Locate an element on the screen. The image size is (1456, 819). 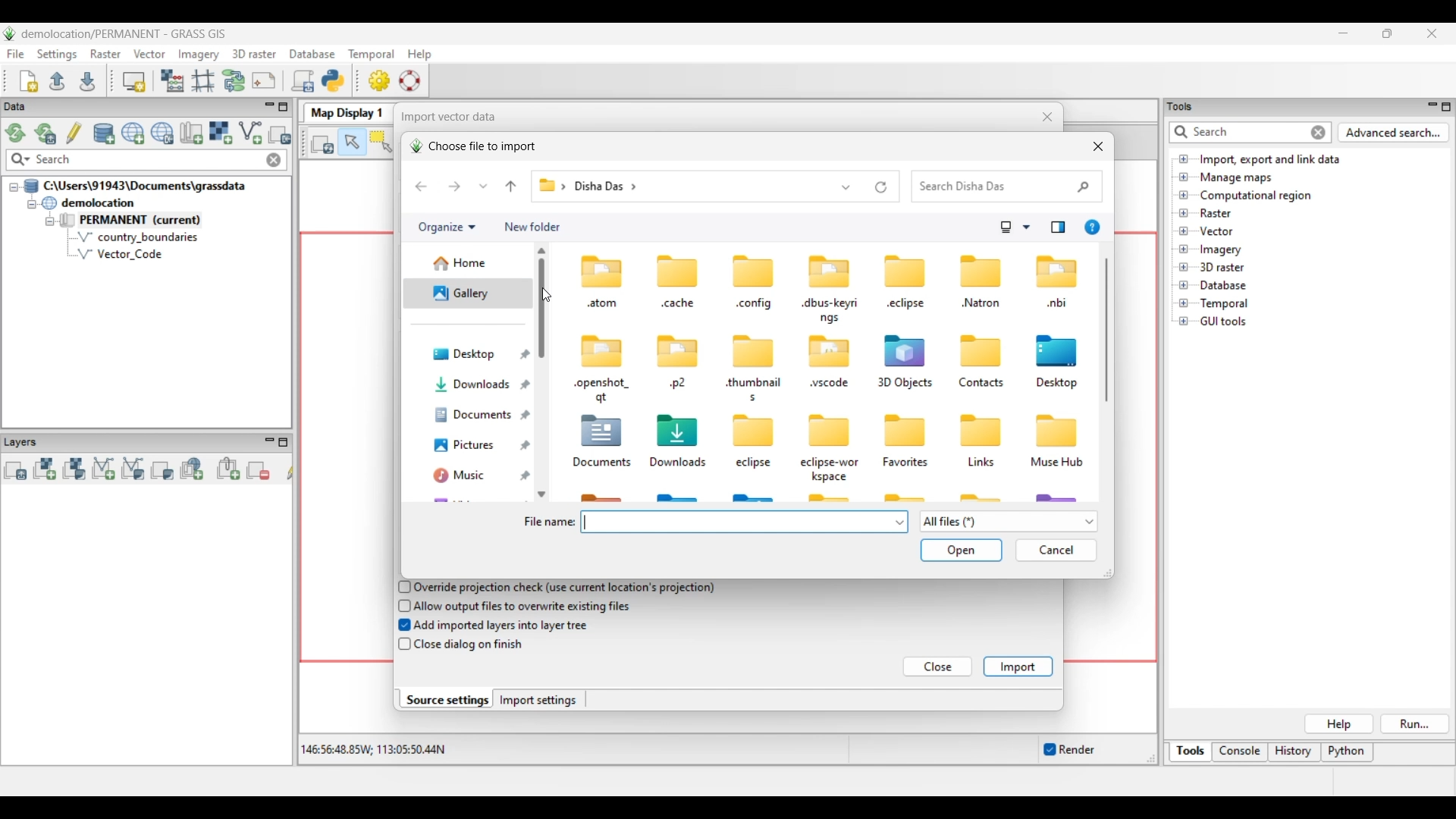
Cartographic composer is located at coordinates (264, 81).